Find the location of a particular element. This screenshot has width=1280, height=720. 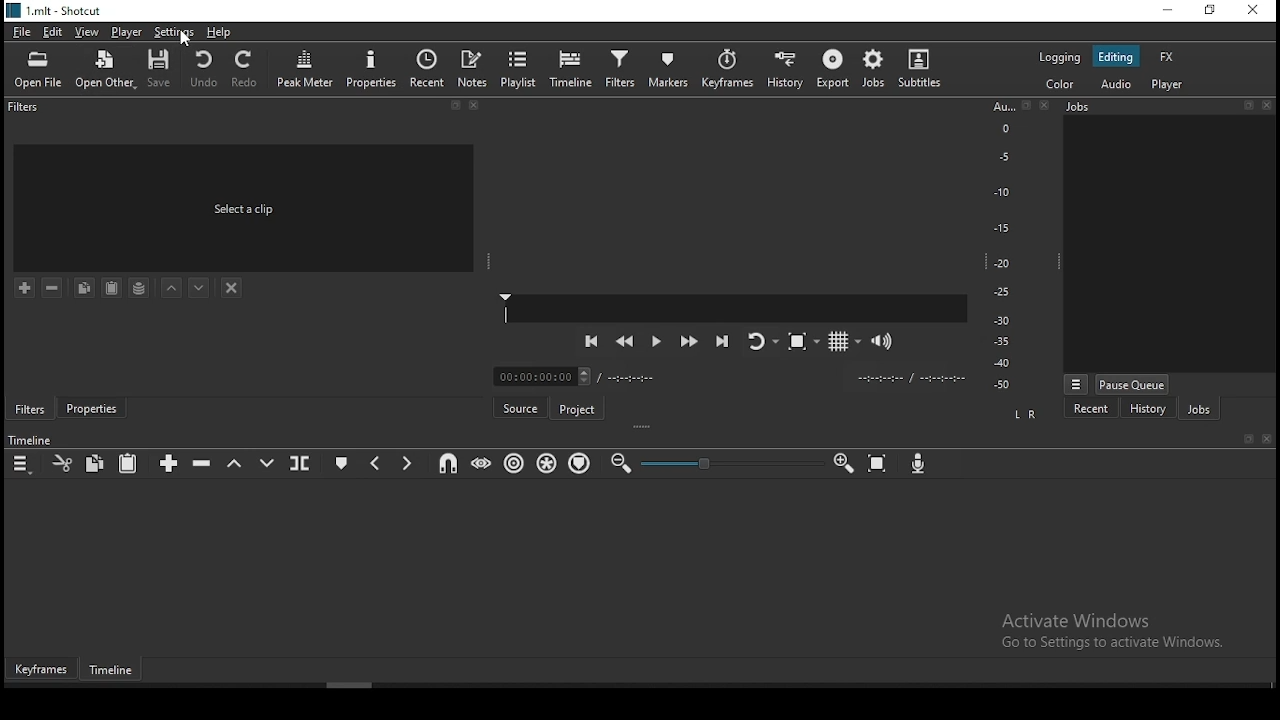

Bookmark is located at coordinates (1027, 106).